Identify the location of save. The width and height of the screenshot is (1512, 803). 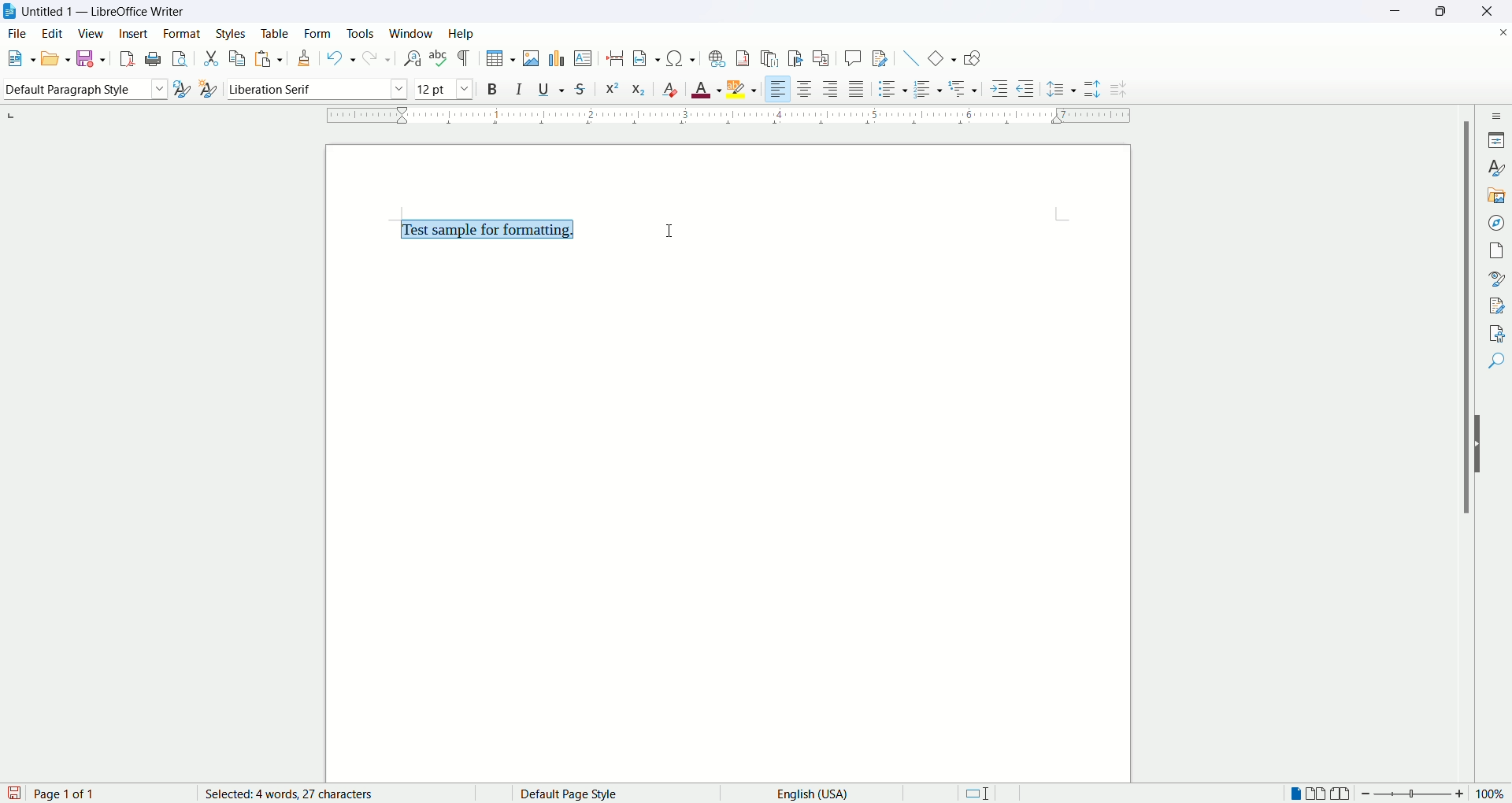
(91, 60).